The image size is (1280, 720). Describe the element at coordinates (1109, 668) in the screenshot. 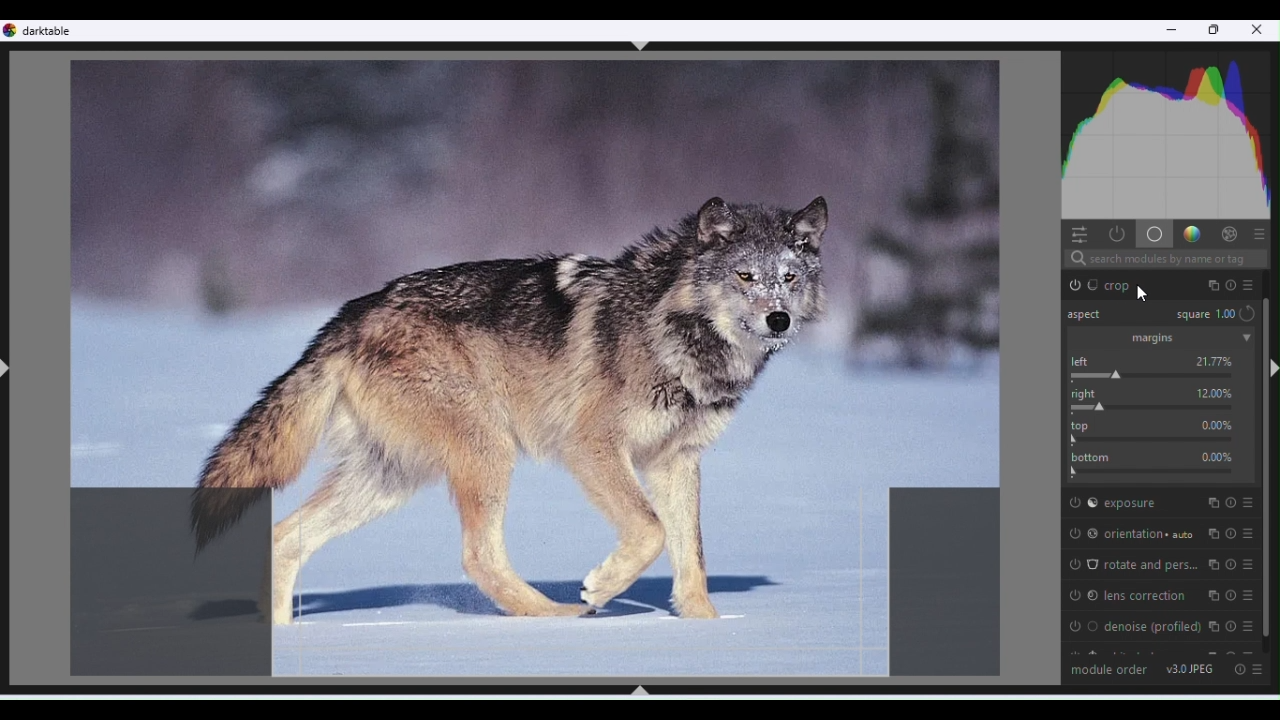

I see `Module order` at that location.